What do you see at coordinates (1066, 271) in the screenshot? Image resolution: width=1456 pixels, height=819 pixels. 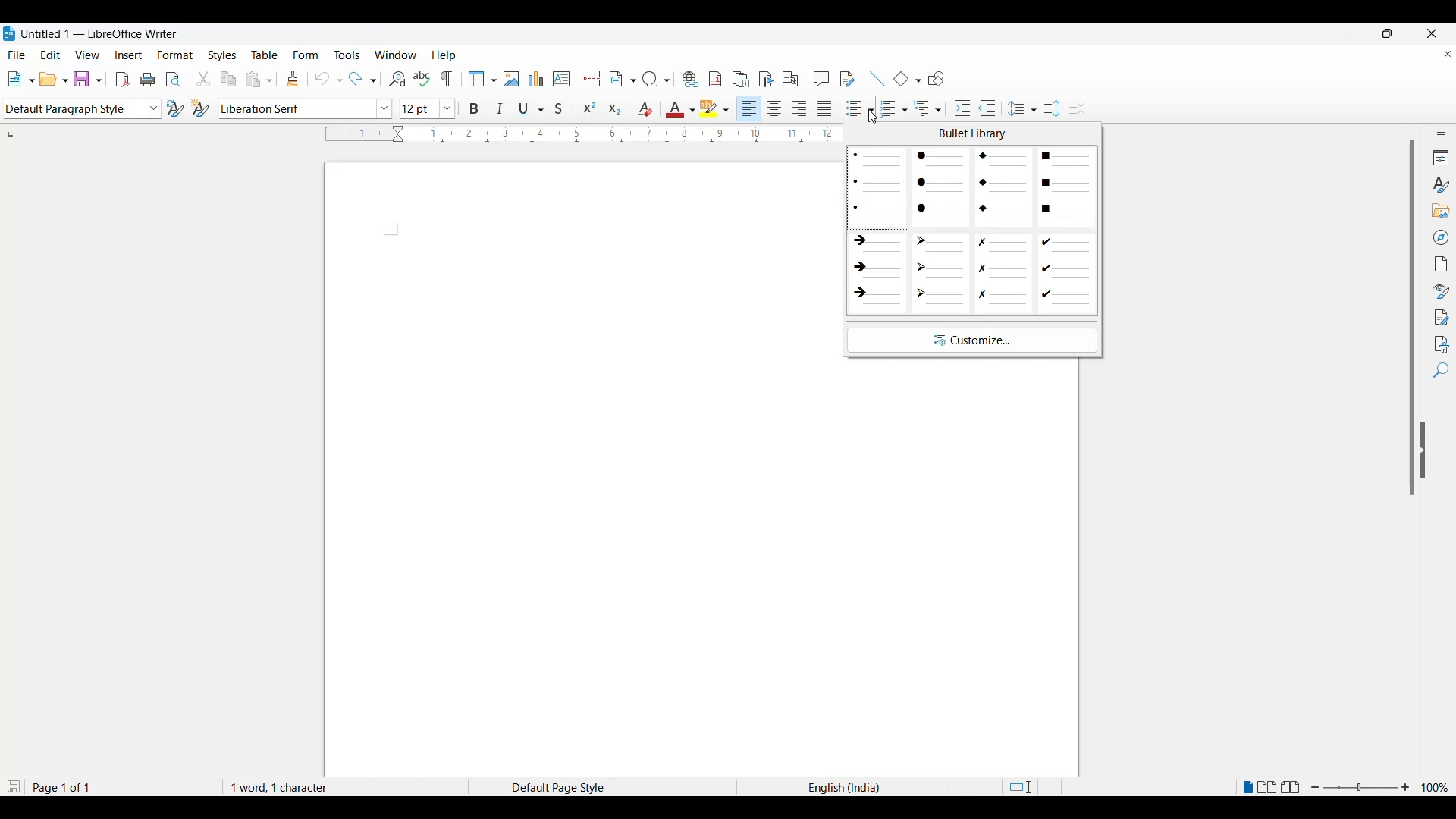 I see `Check unordered bullets` at bounding box center [1066, 271].